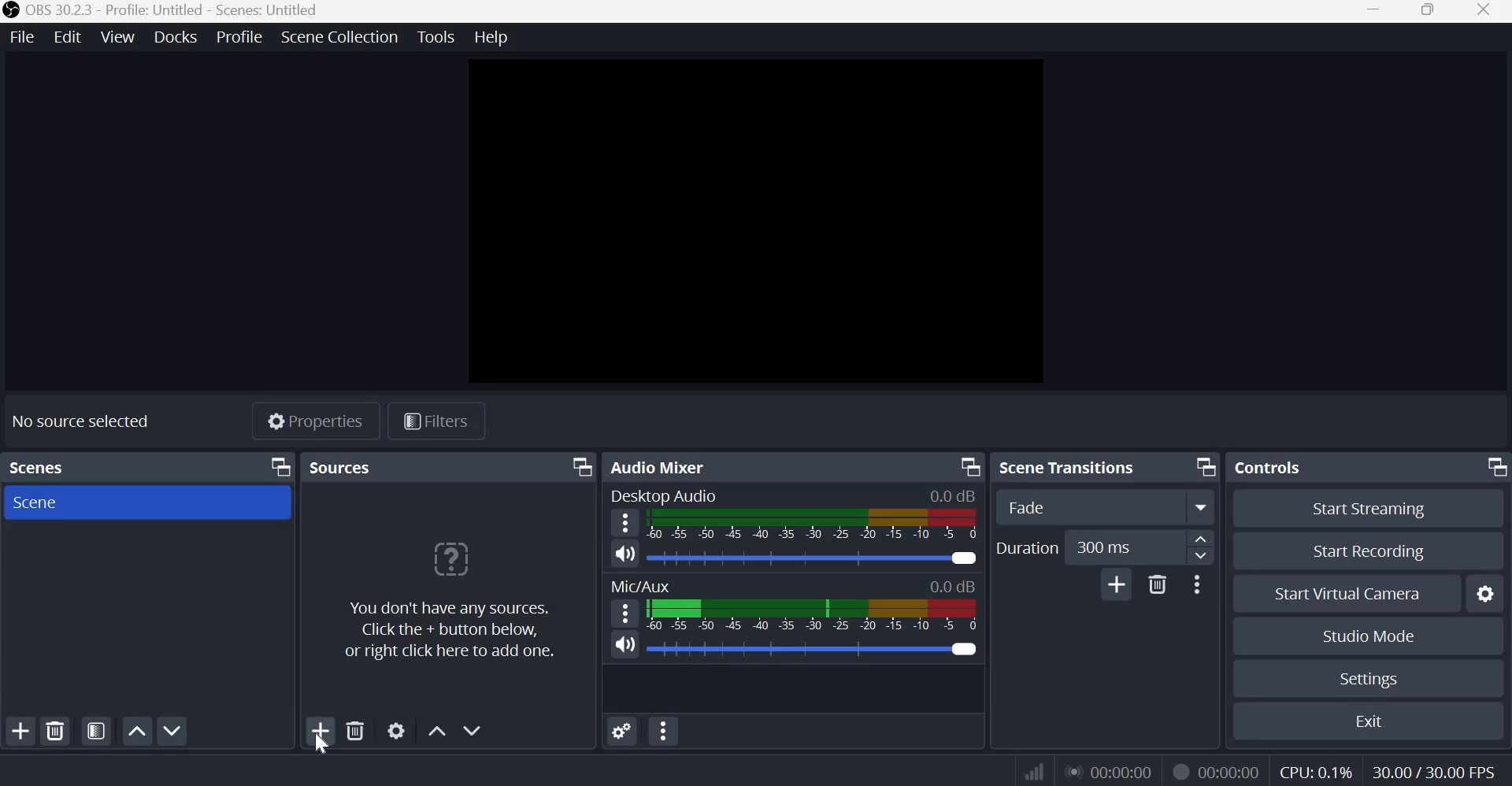 This screenshot has height=786, width=1512. I want to click on Speaker icon, so click(626, 554).